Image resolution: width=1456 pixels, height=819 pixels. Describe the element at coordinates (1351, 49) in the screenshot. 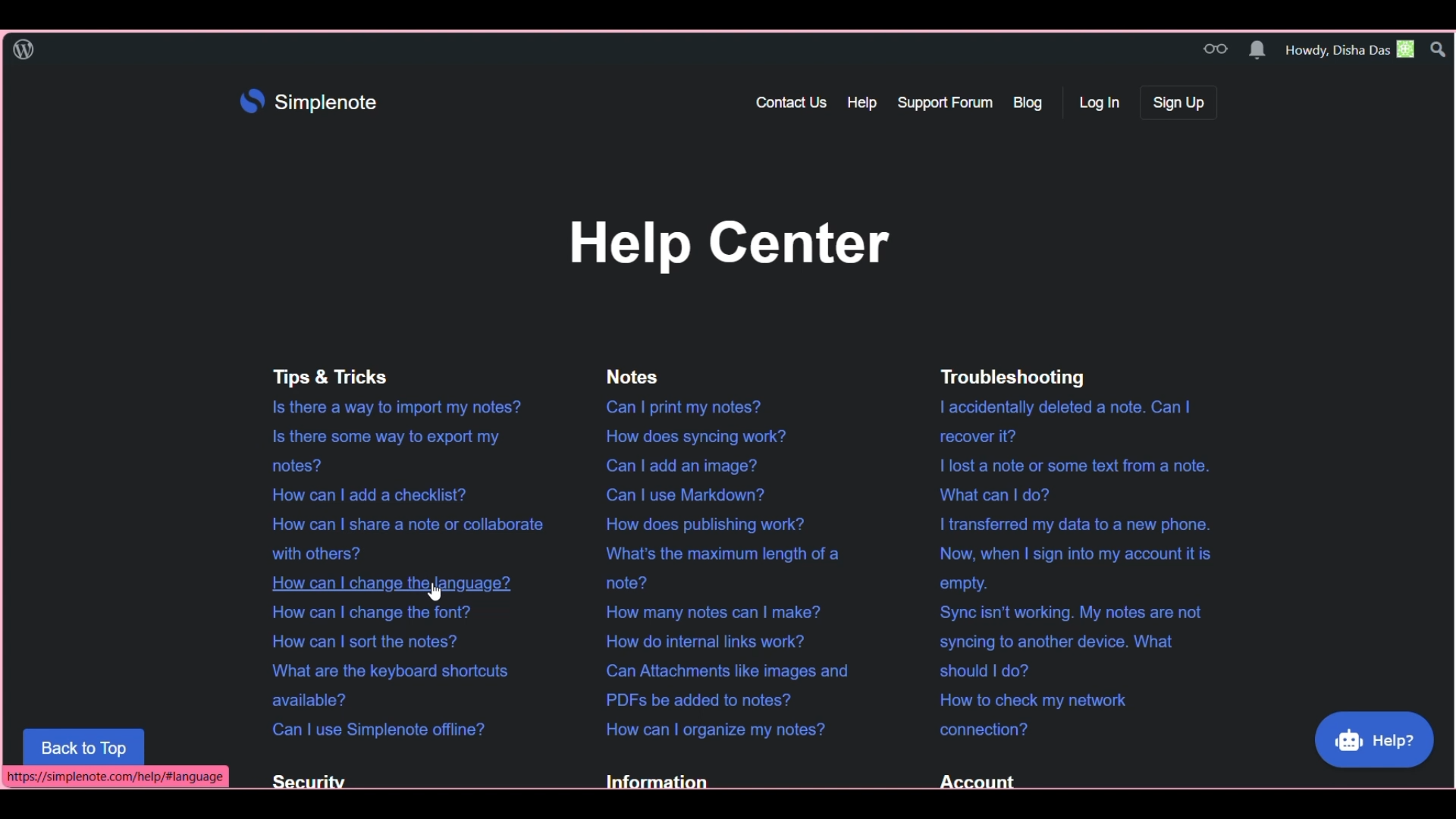

I see `Account greetings and details` at that location.